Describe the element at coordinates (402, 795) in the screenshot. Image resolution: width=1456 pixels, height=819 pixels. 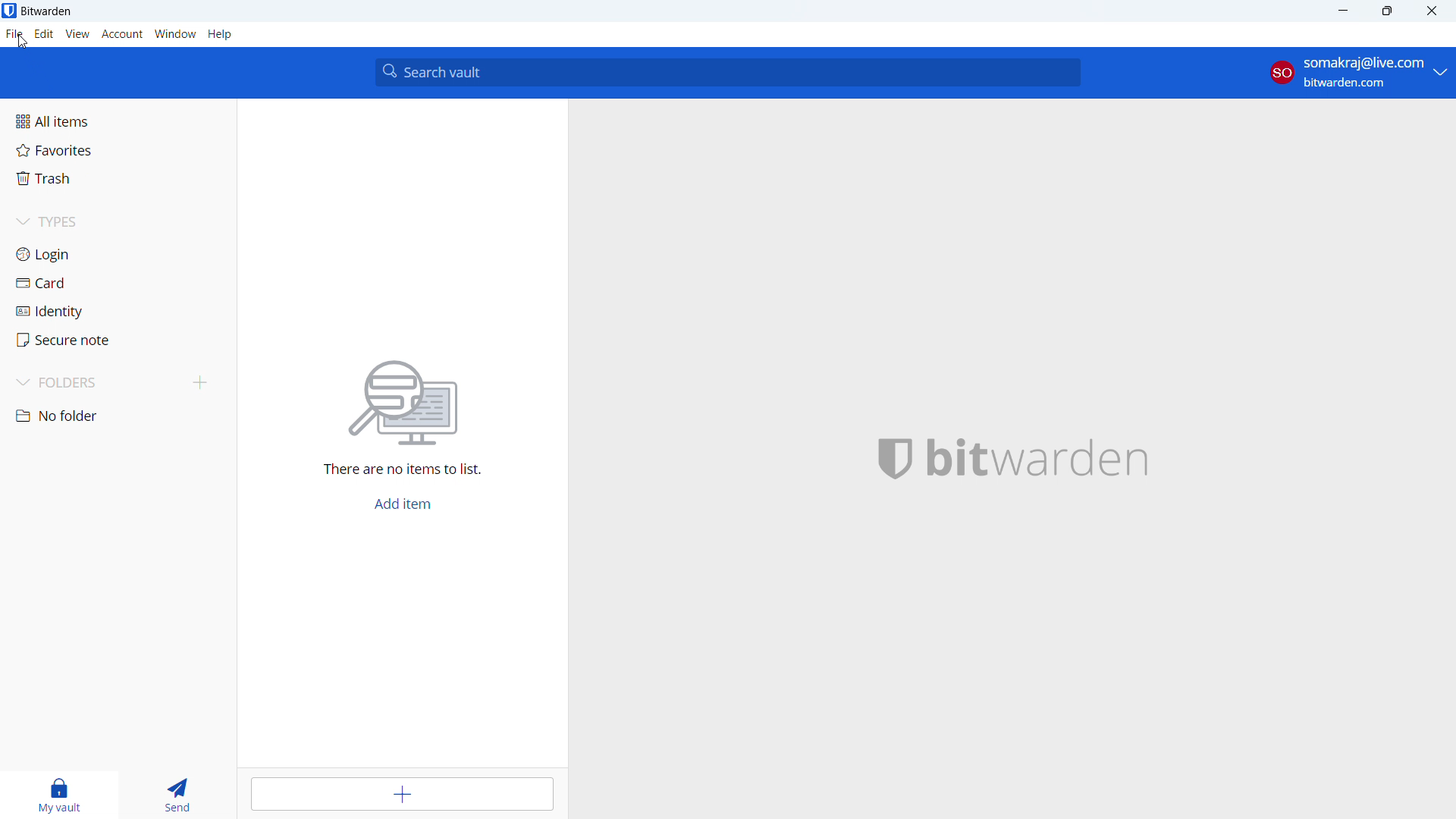
I see `add` at that location.